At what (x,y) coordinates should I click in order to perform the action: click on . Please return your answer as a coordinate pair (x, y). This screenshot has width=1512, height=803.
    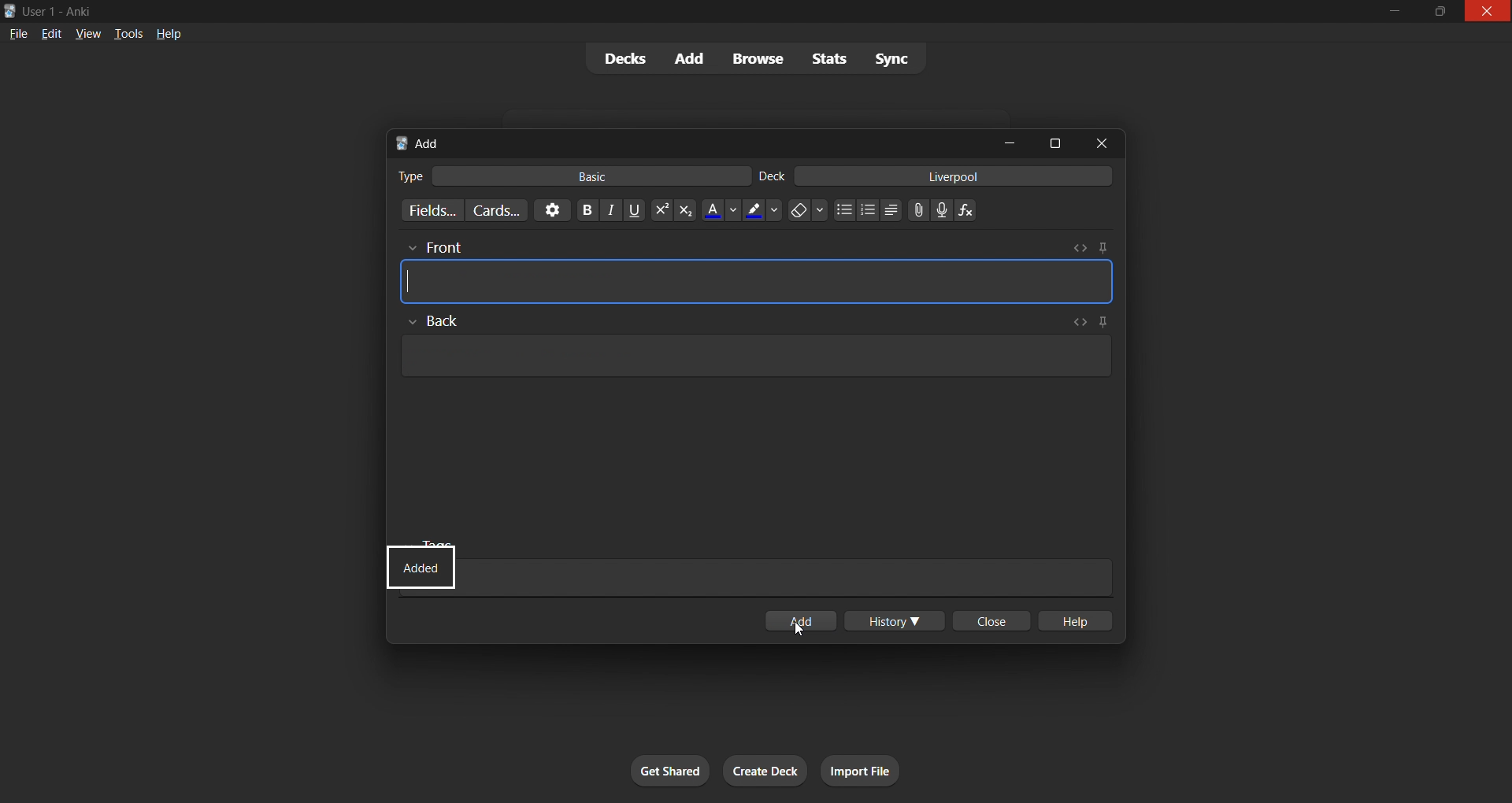
    Looking at the image, I should click on (958, 176).